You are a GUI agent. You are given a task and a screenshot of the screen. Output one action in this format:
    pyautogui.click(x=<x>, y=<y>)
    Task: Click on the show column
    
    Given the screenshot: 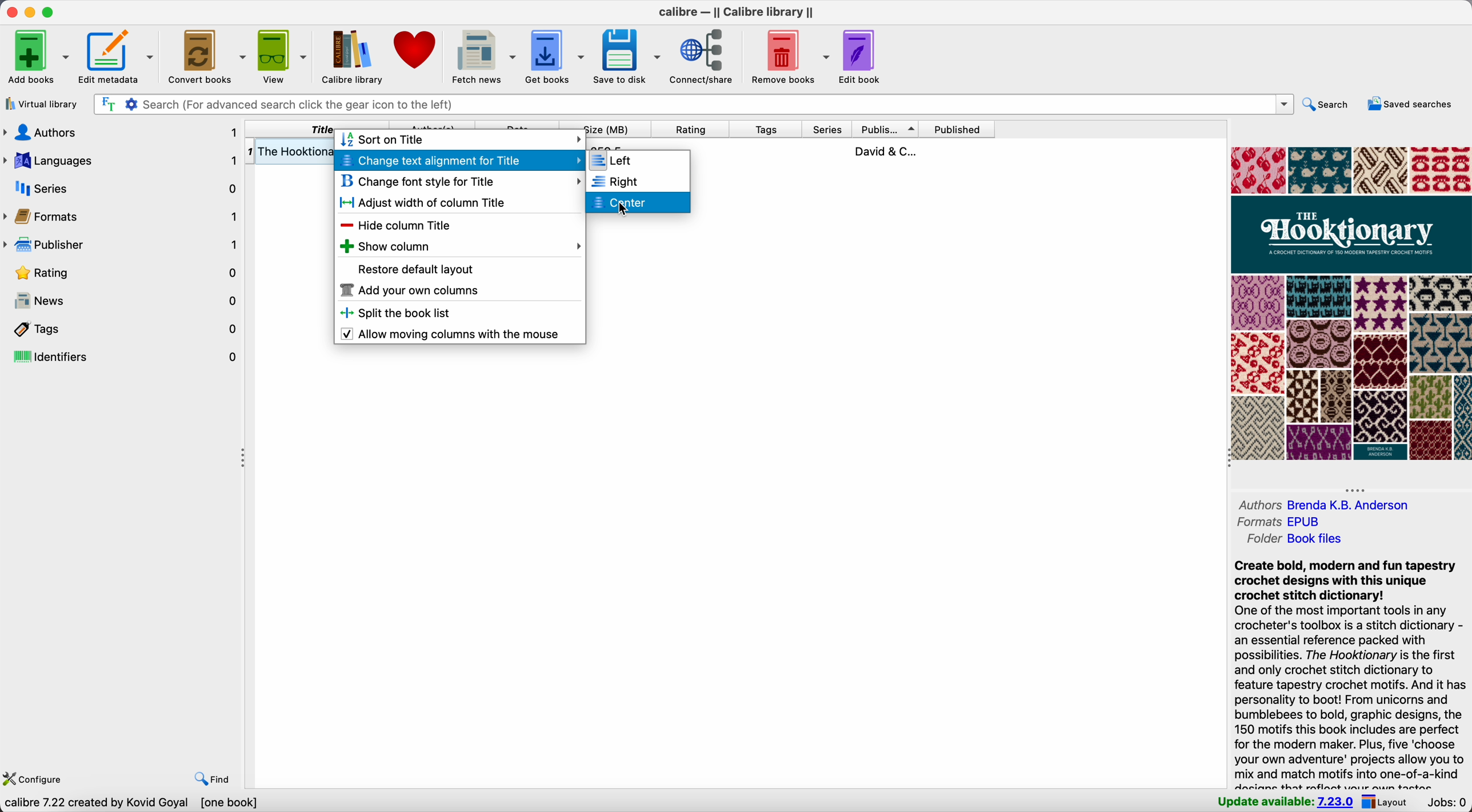 What is the action you would take?
    pyautogui.click(x=459, y=246)
    